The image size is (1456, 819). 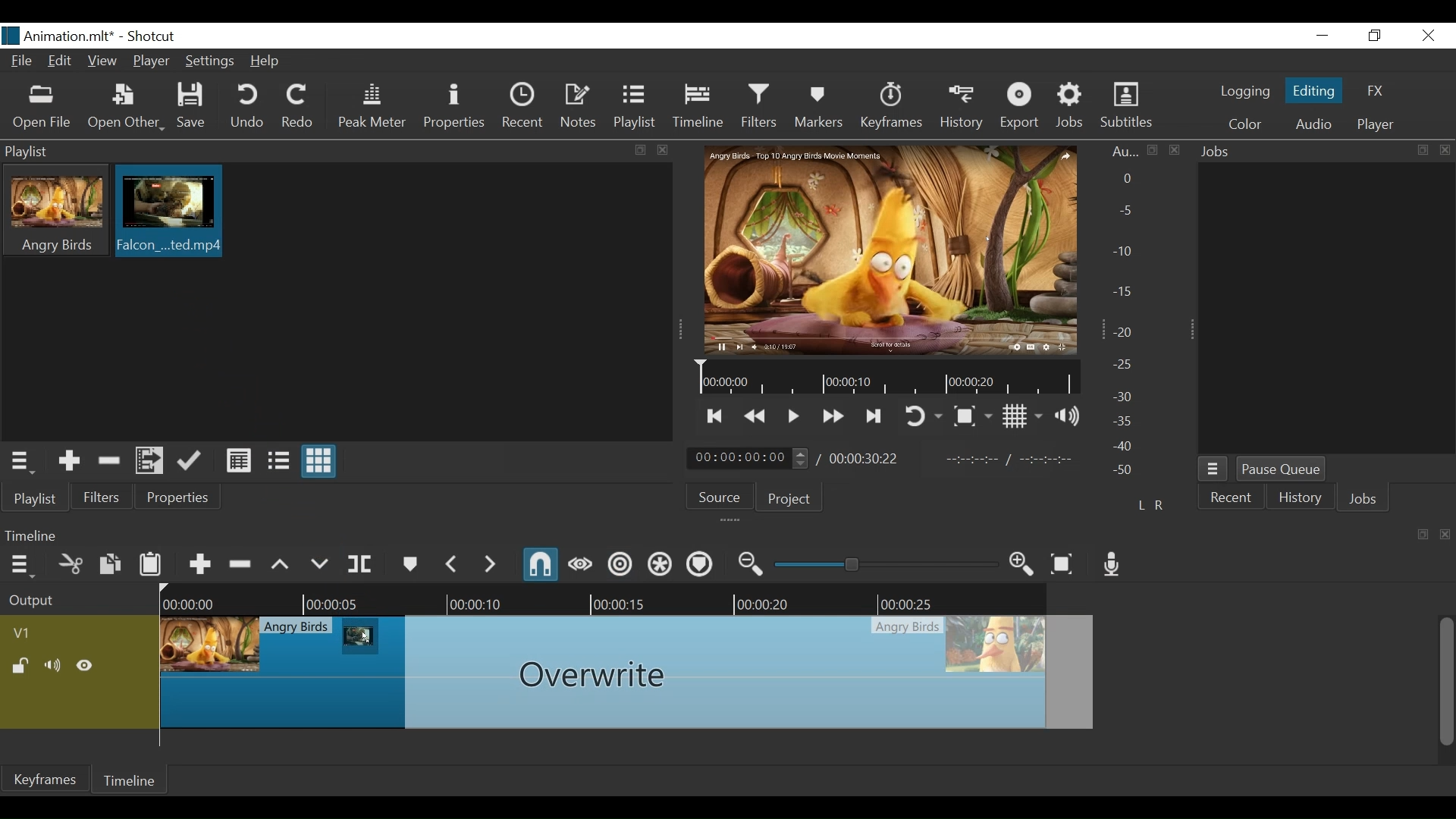 What do you see at coordinates (104, 496) in the screenshot?
I see `Filters` at bounding box center [104, 496].